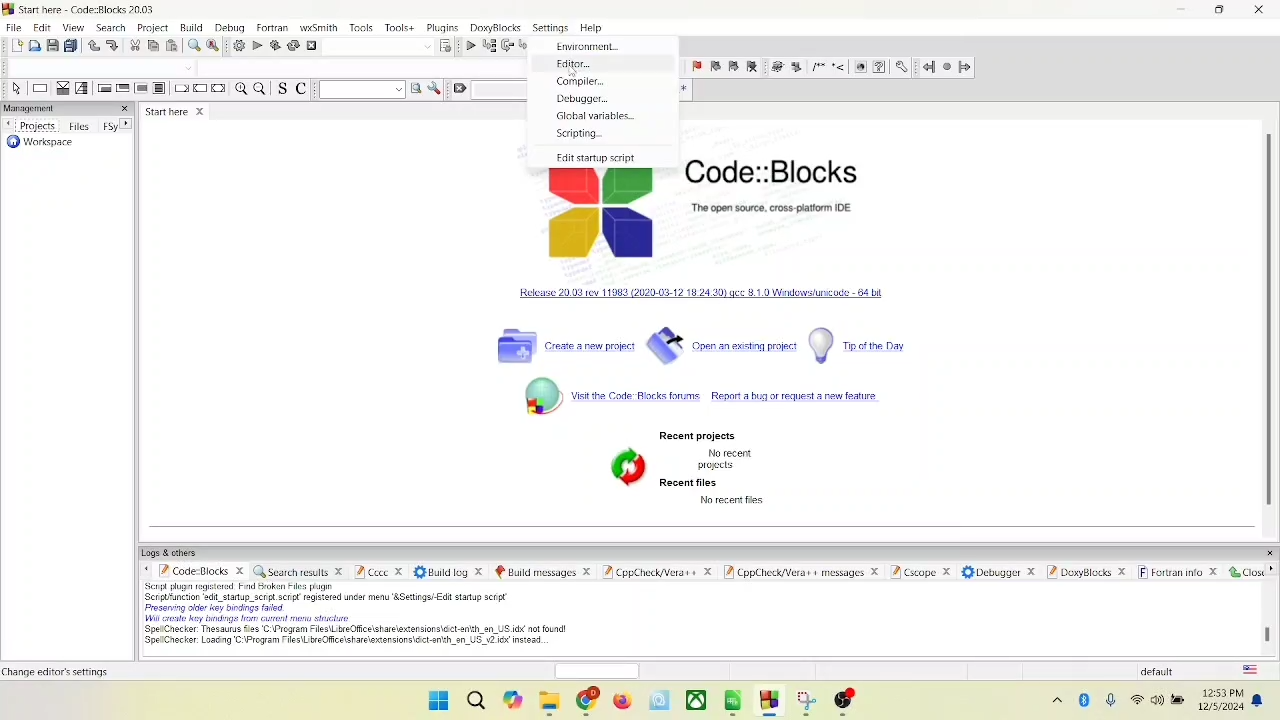  Describe the element at coordinates (715, 65) in the screenshot. I see `previous bookmark` at that location.